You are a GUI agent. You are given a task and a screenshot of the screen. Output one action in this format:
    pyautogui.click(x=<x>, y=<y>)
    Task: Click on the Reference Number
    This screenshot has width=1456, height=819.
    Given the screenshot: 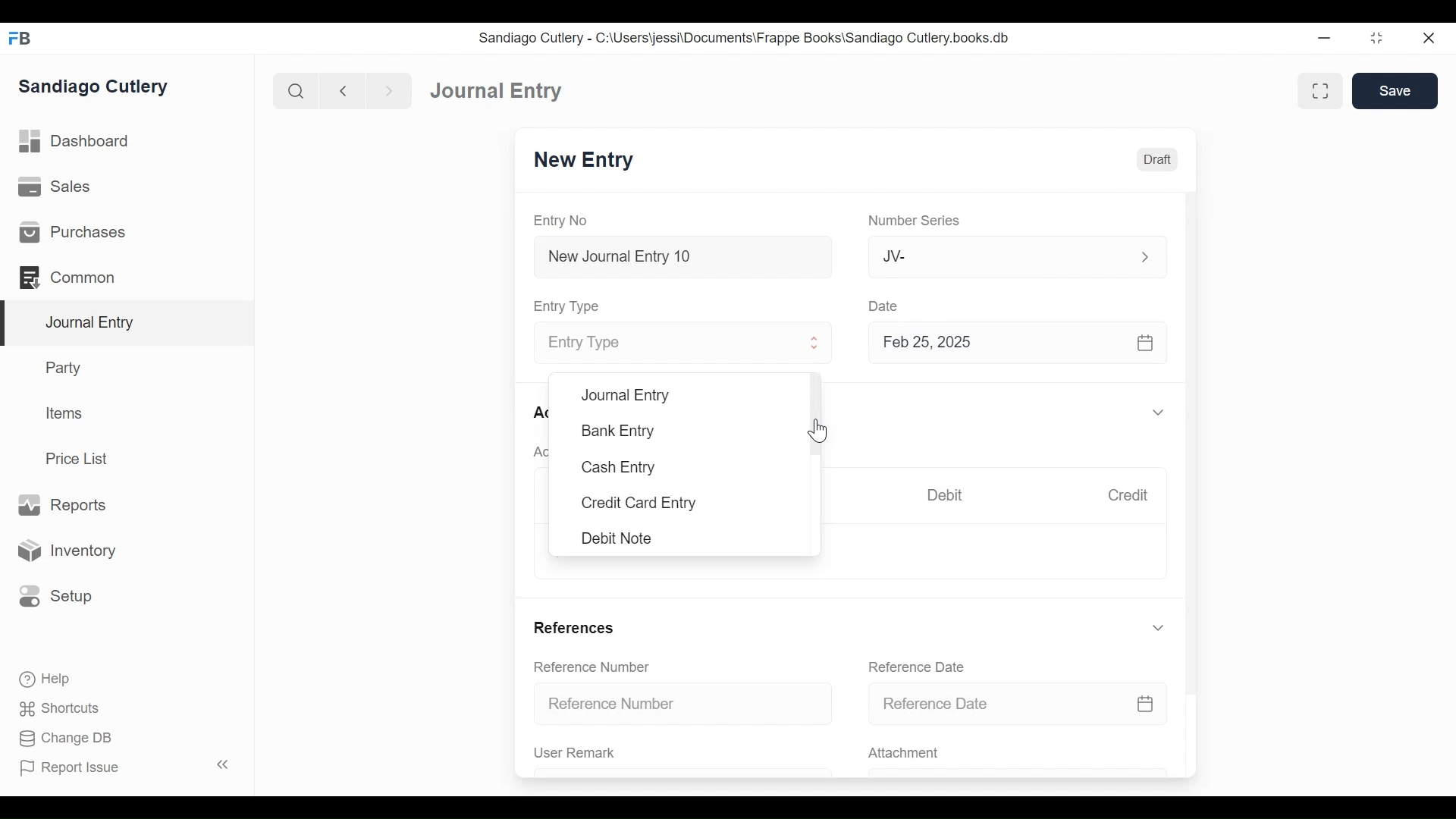 What is the action you would take?
    pyautogui.click(x=686, y=704)
    